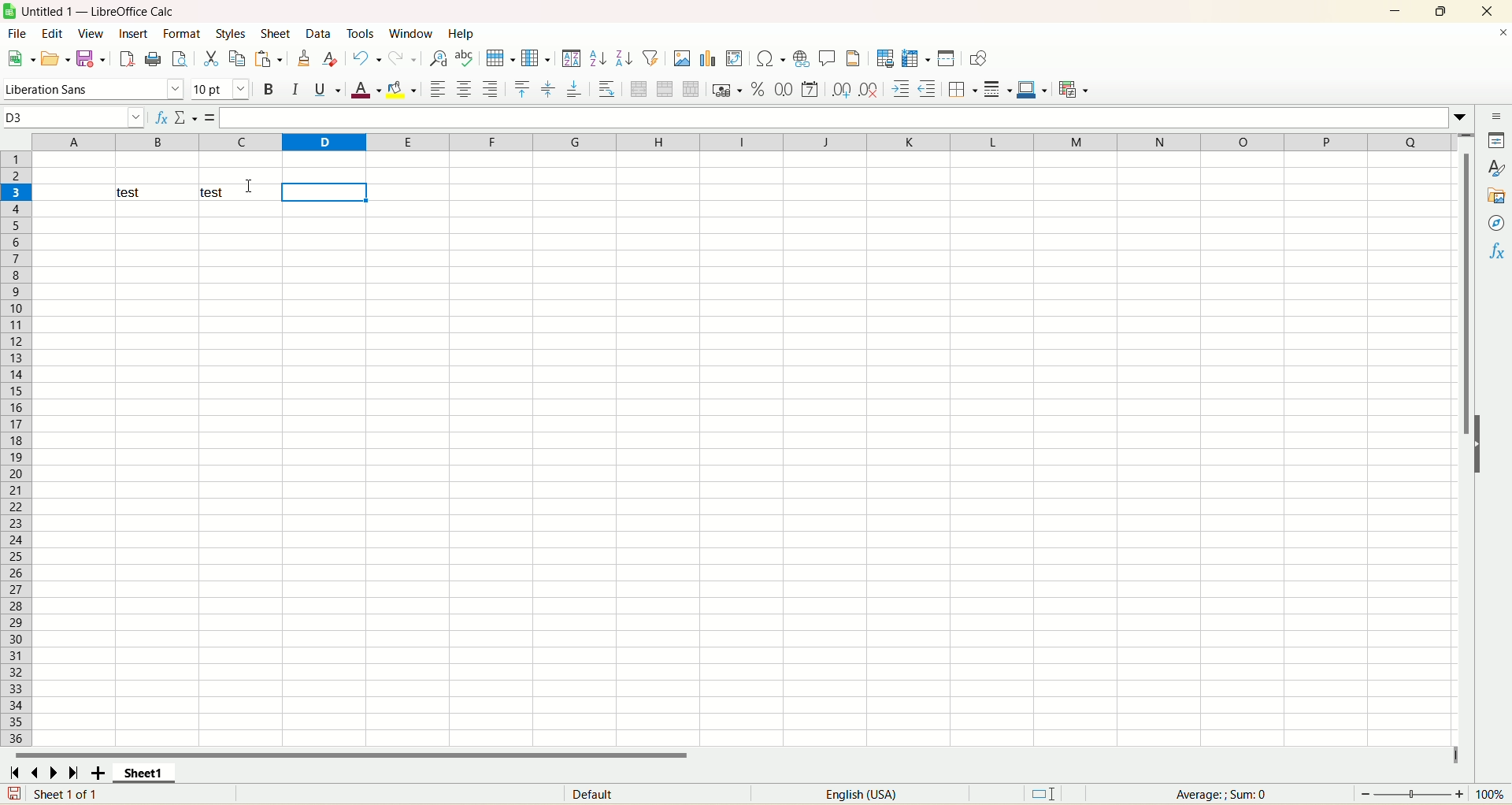  Describe the element at coordinates (323, 142) in the screenshot. I see `active column name` at that location.